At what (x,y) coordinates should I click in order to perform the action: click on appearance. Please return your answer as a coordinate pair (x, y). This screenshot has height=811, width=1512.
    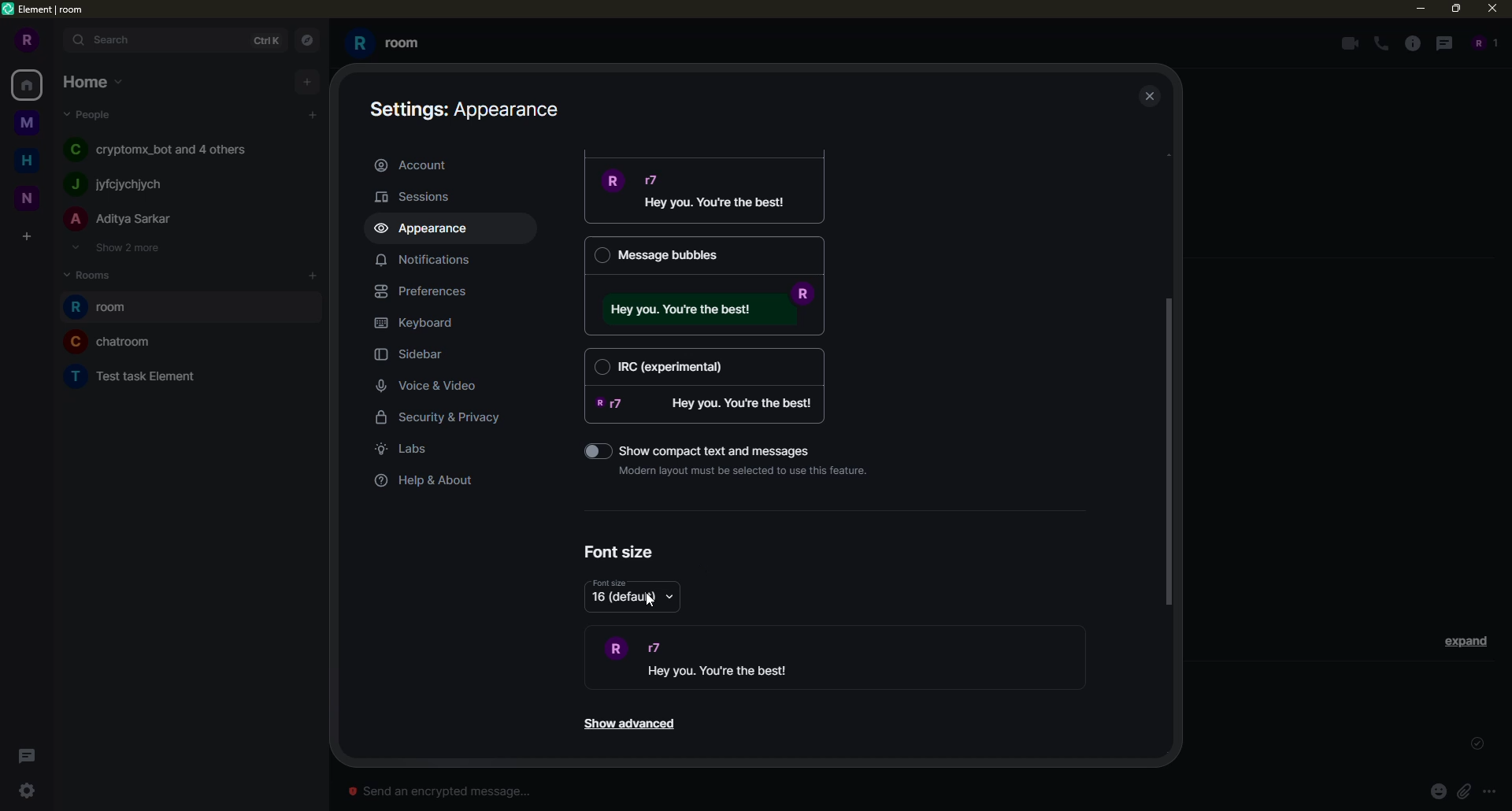
    Looking at the image, I should click on (469, 107).